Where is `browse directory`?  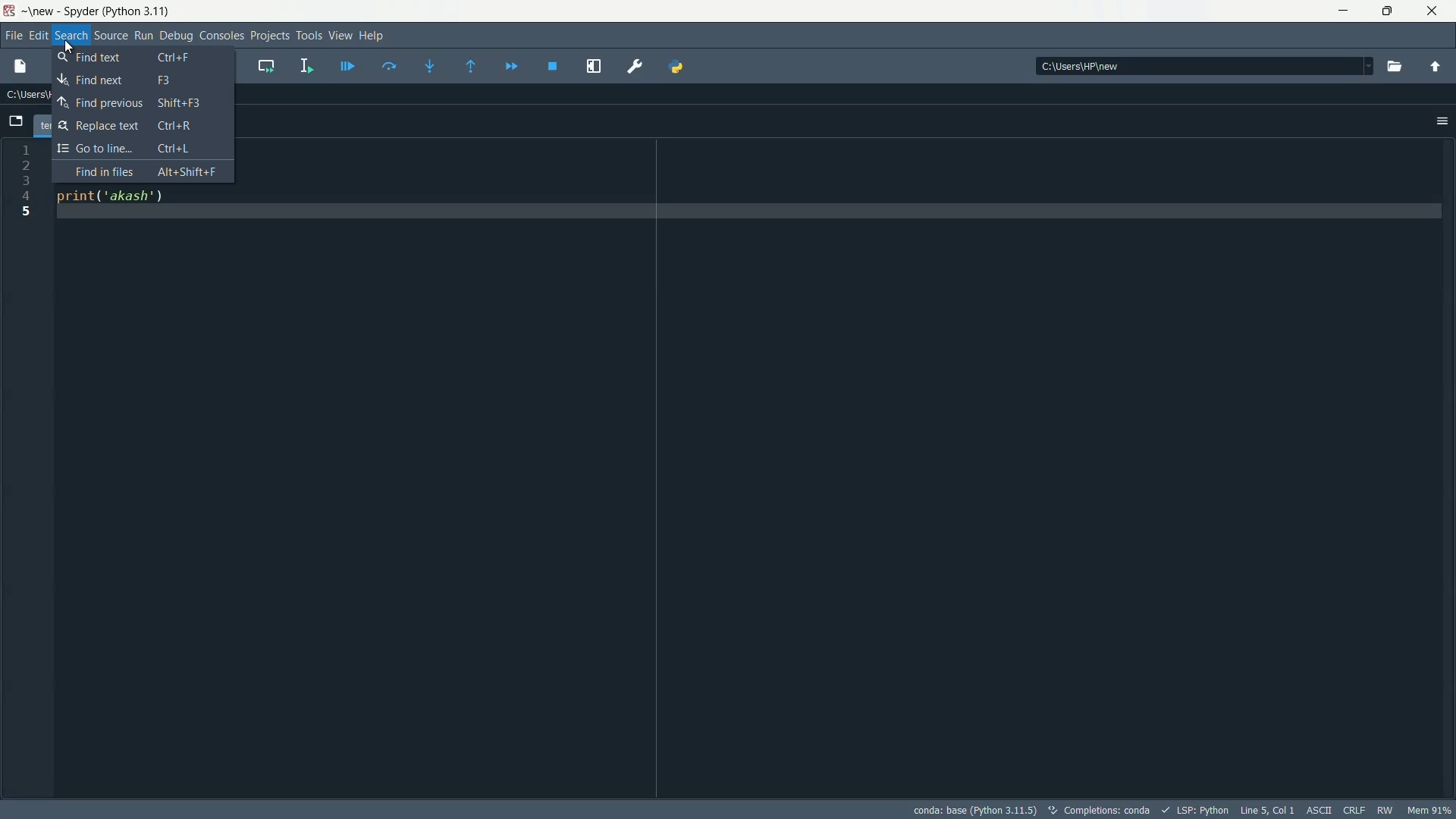 browse directory is located at coordinates (1395, 65).